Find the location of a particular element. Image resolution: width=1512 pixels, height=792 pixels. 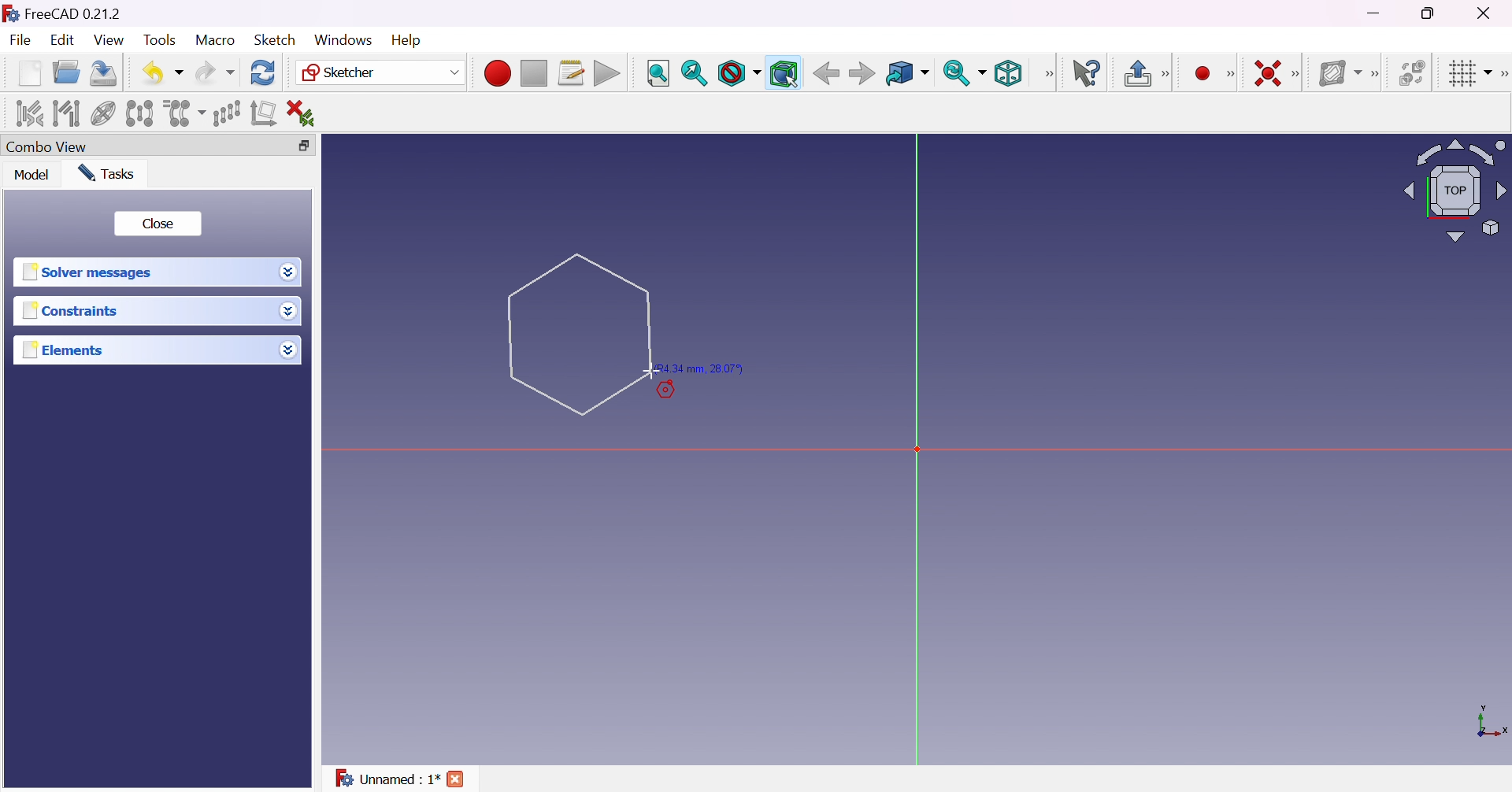

Edit is located at coordinates (65, 40).